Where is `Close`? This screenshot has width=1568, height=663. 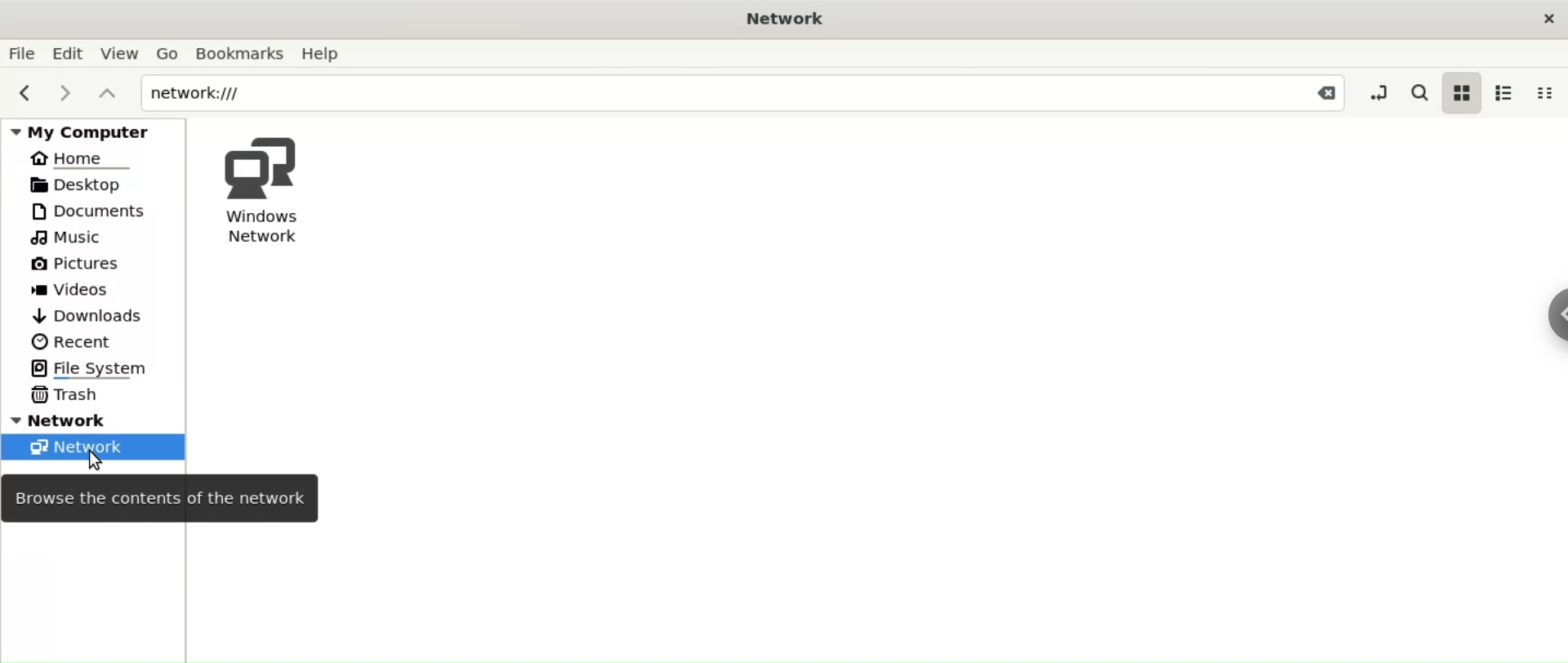
Close is located at coordinates (1316, 96).